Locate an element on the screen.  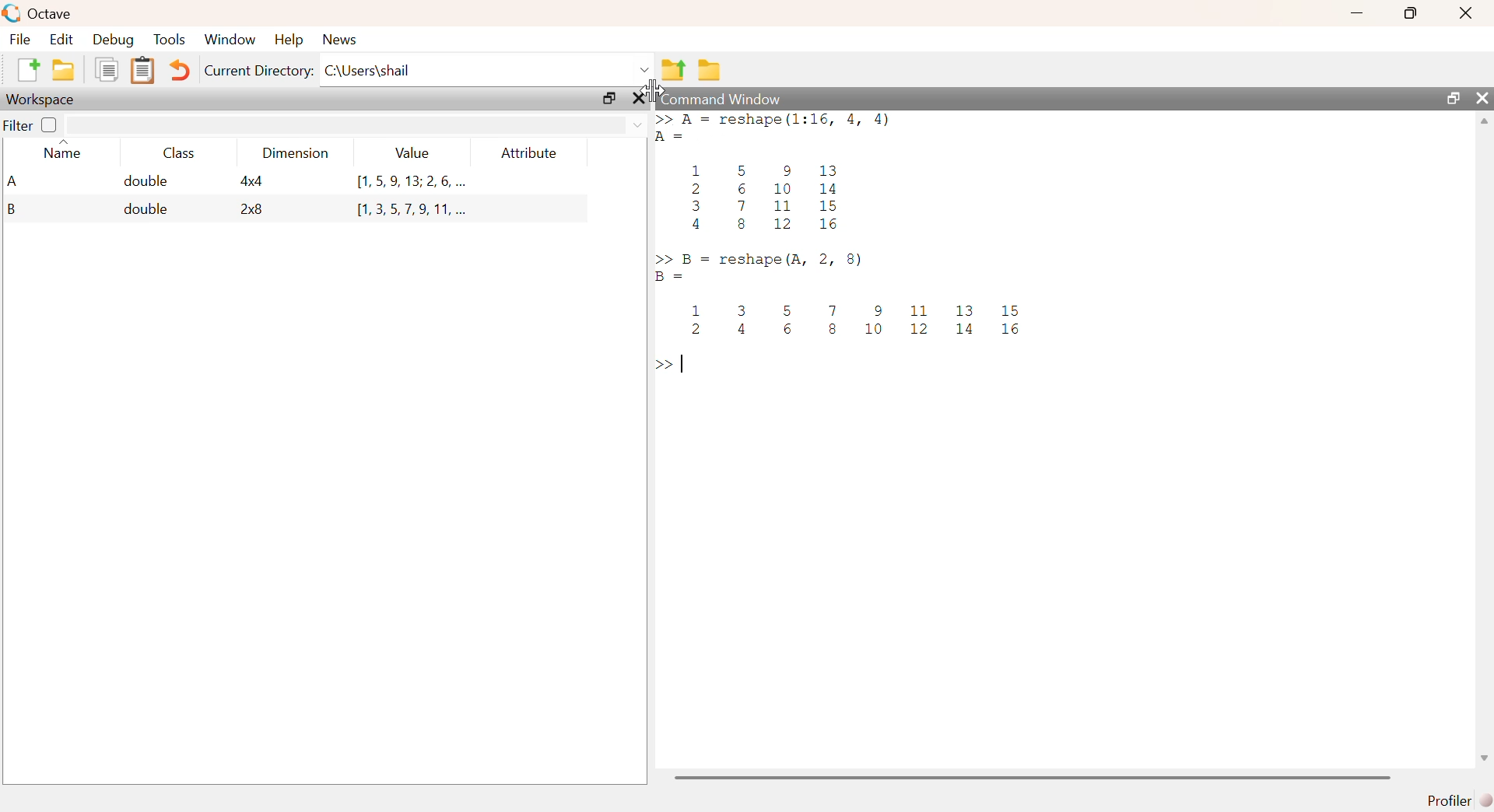
off is located at coordinates (49, 125).